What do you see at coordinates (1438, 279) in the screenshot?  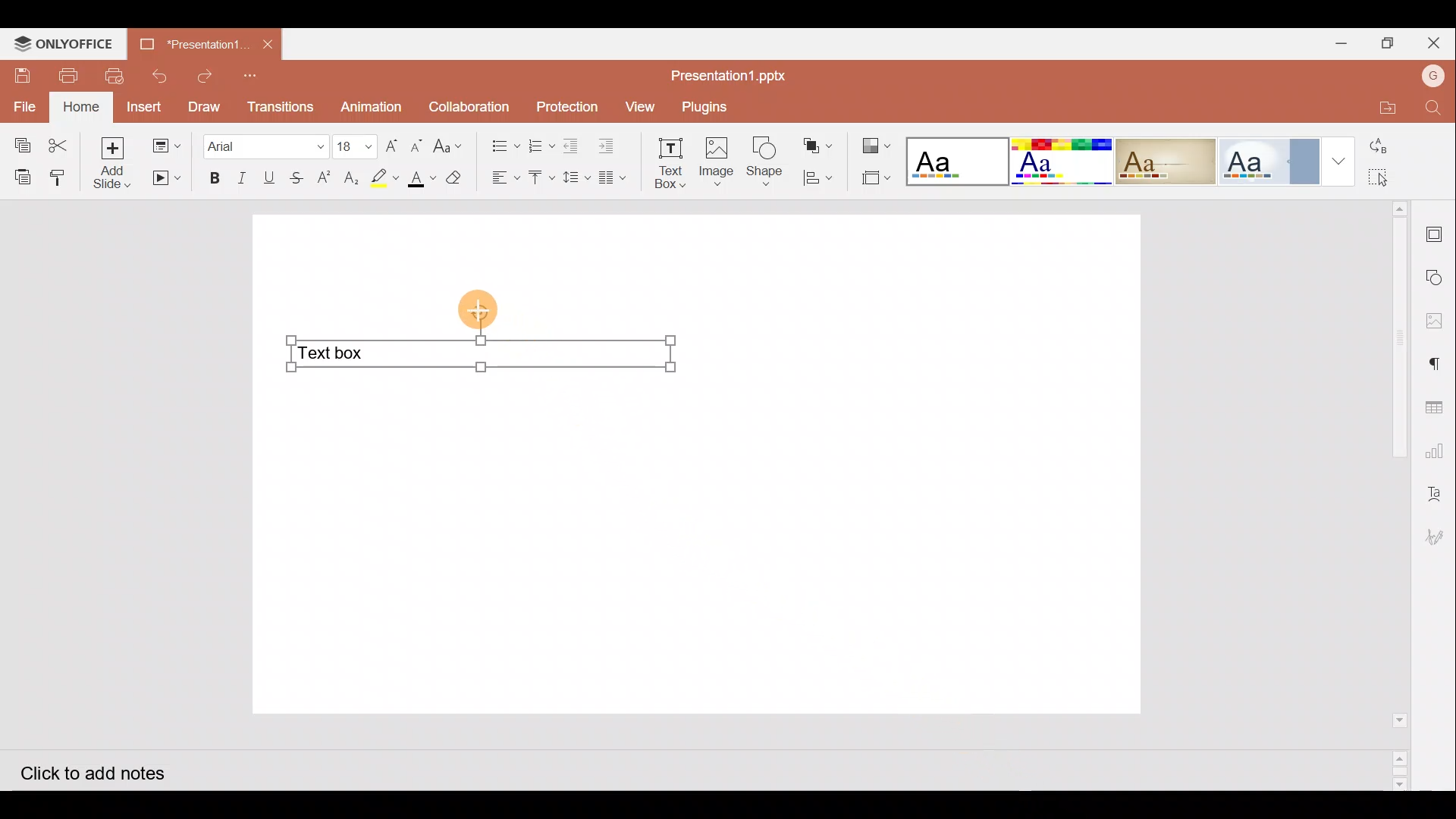 I see `Shapes settings` at bounding box center [1438, 279].